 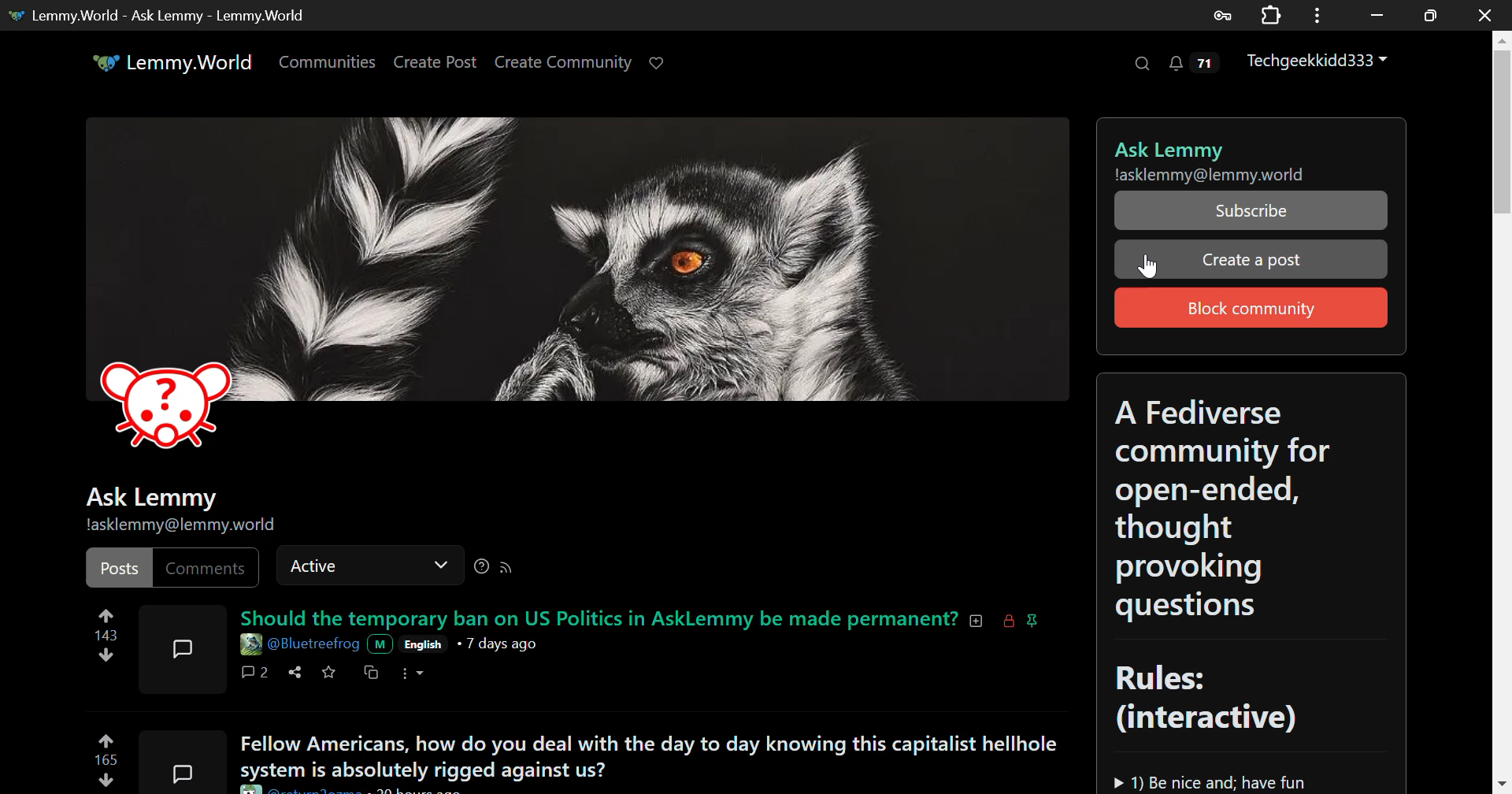 I want to click on Create Post, so click(x=435, y=64).